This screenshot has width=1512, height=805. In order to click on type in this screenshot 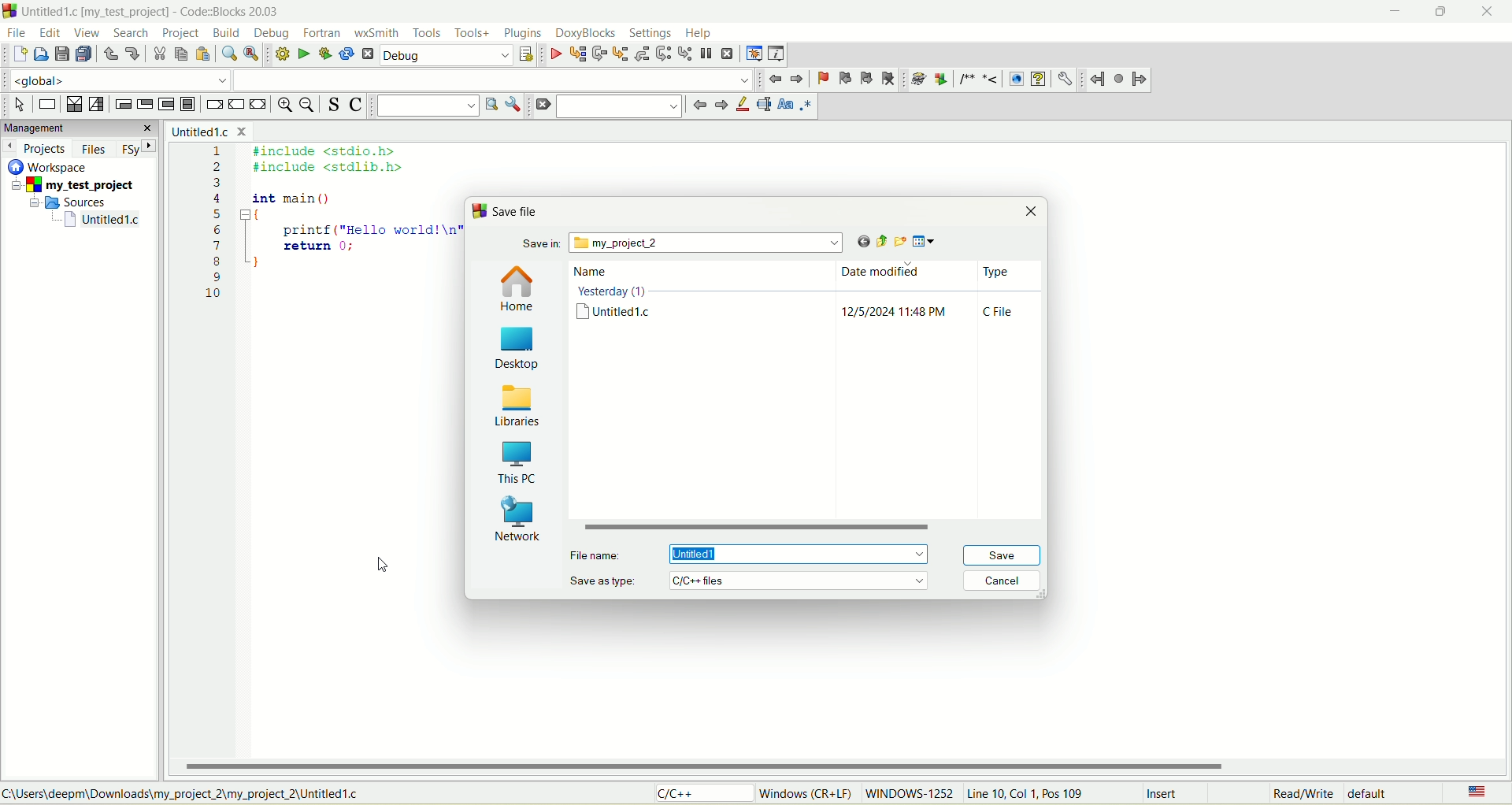, I will do `click(1001, 298)`.